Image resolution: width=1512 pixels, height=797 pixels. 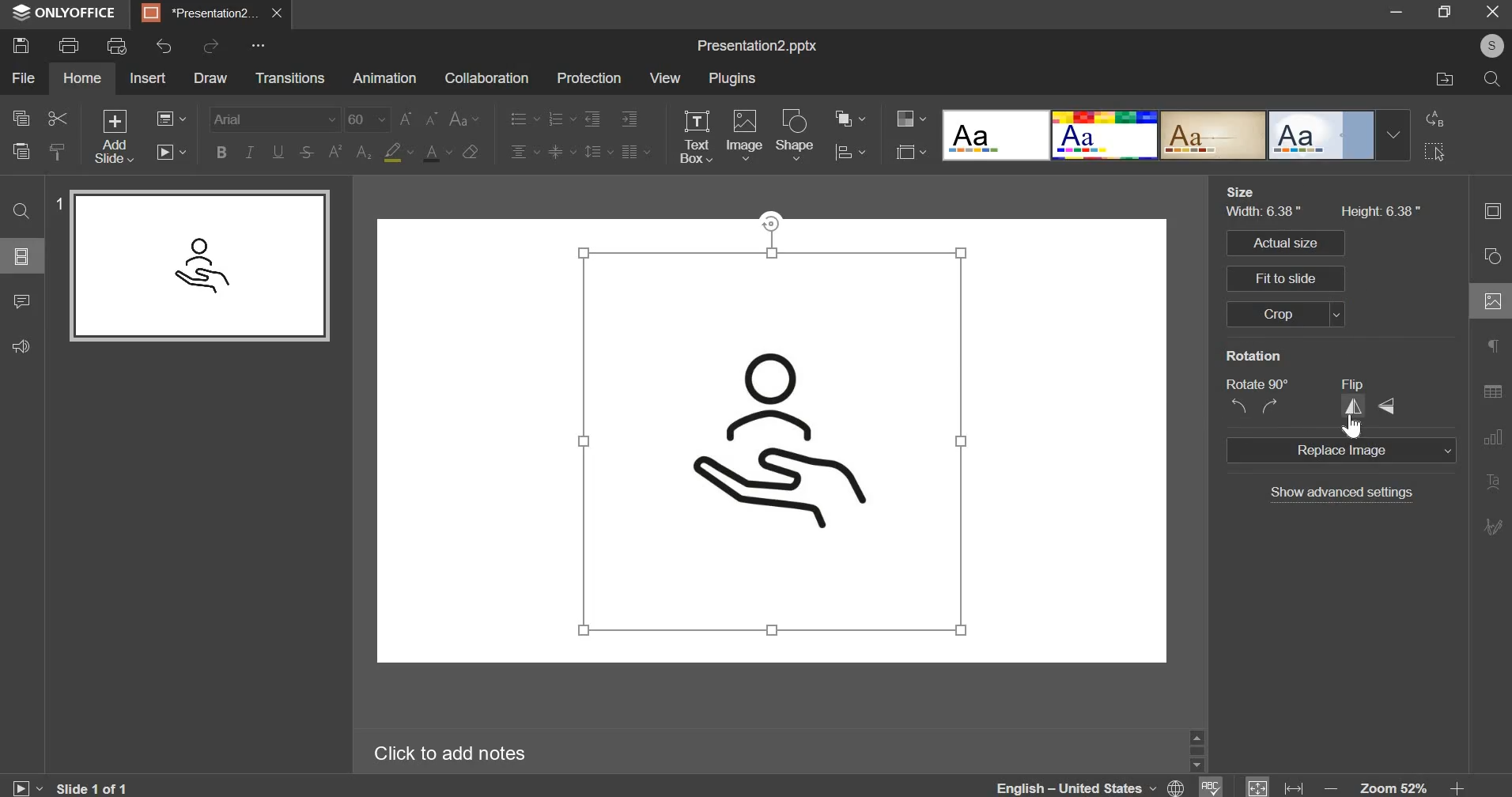 I want to click on slide layout, so click(x=22, y=255).